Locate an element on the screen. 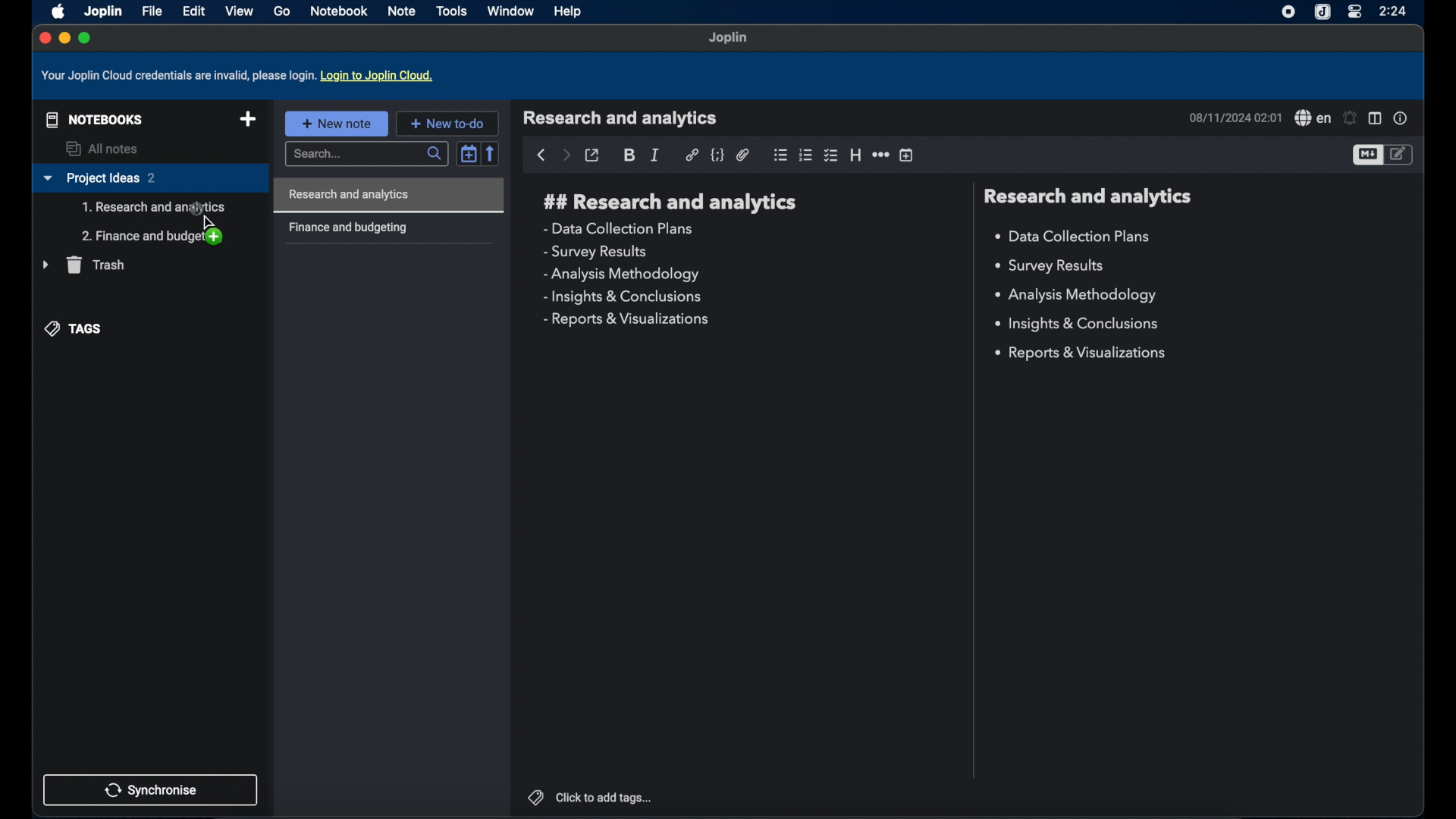  notebooks is located at coordinates (91, 118).